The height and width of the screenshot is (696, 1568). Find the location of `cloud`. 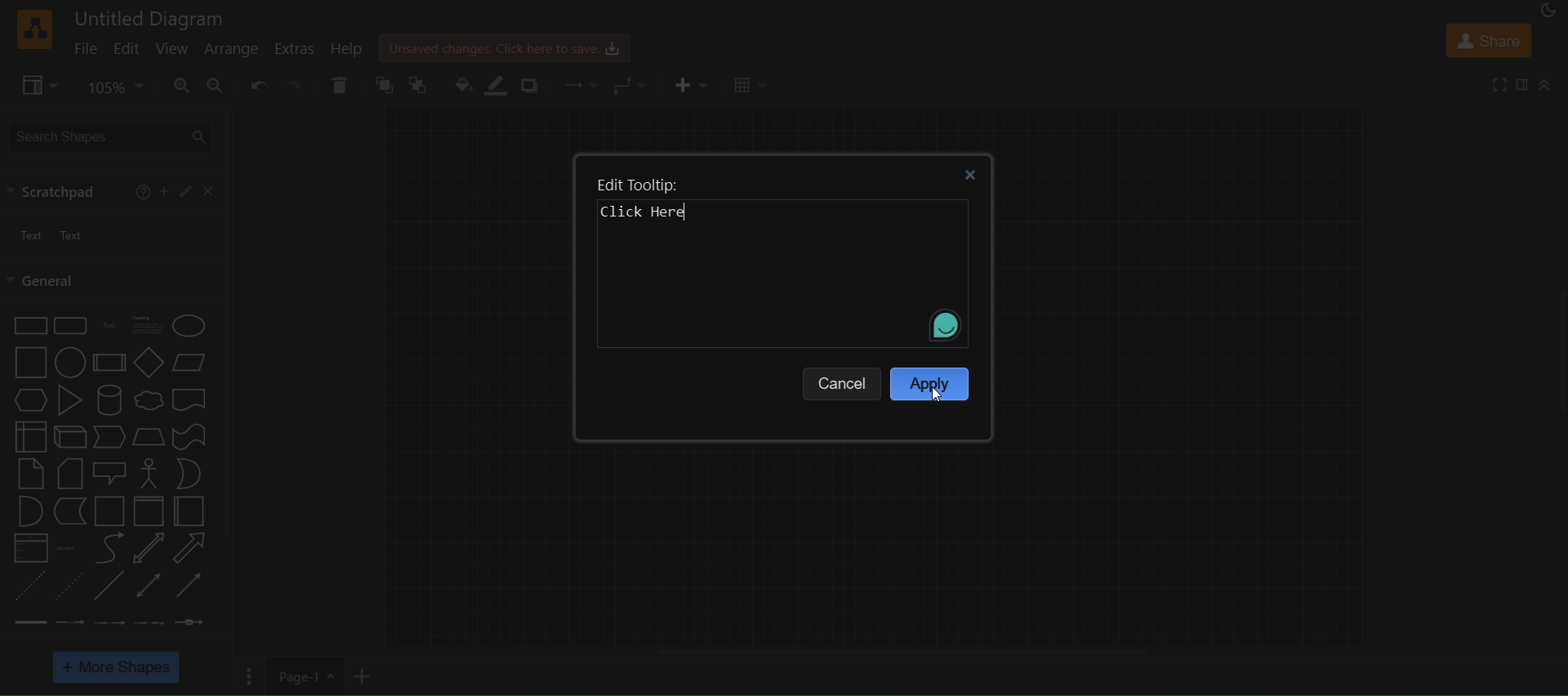

cloud is located at coordinates (148, 400).